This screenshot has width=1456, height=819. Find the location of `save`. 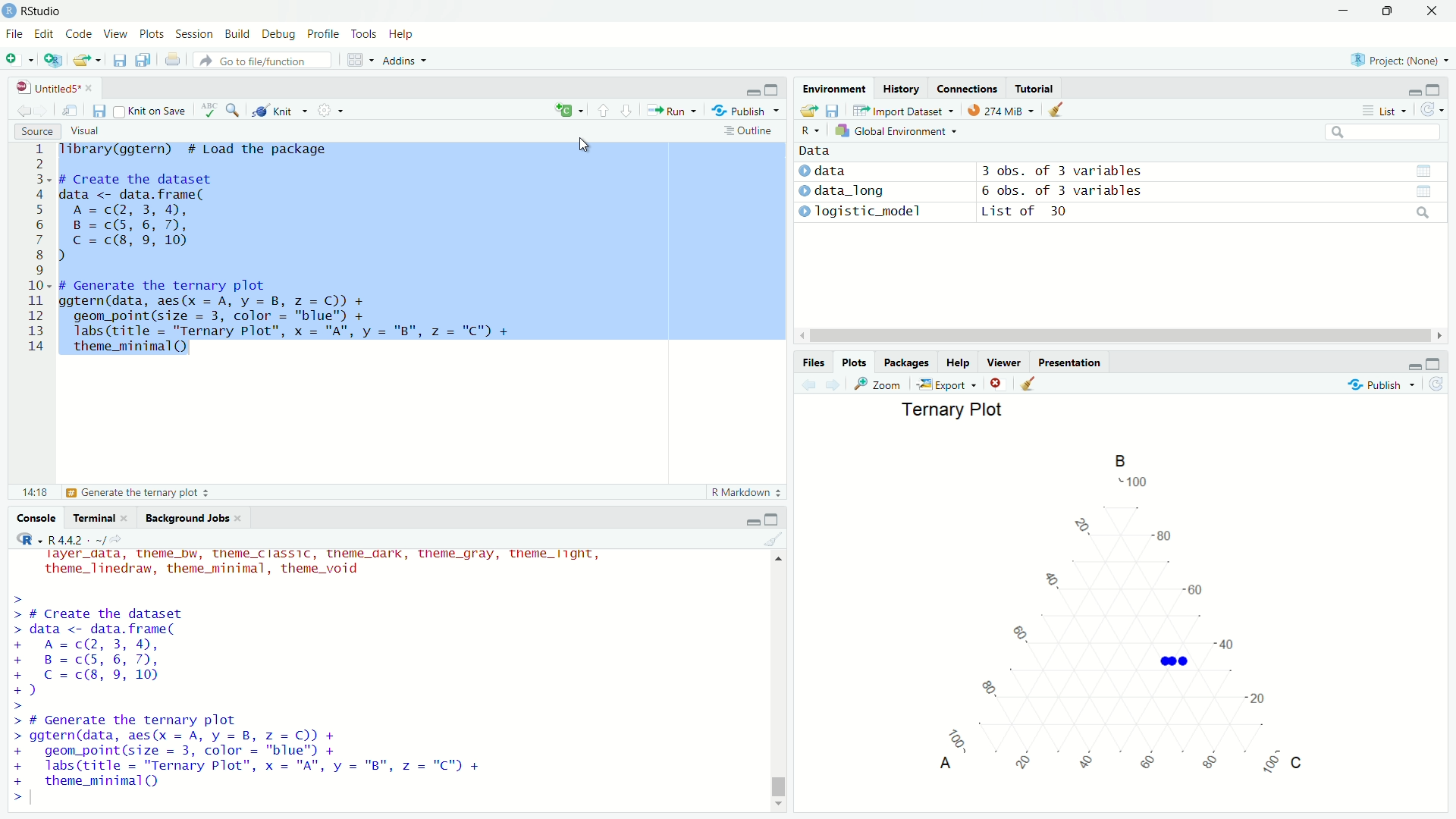

save is located at coordinates (835, 108).